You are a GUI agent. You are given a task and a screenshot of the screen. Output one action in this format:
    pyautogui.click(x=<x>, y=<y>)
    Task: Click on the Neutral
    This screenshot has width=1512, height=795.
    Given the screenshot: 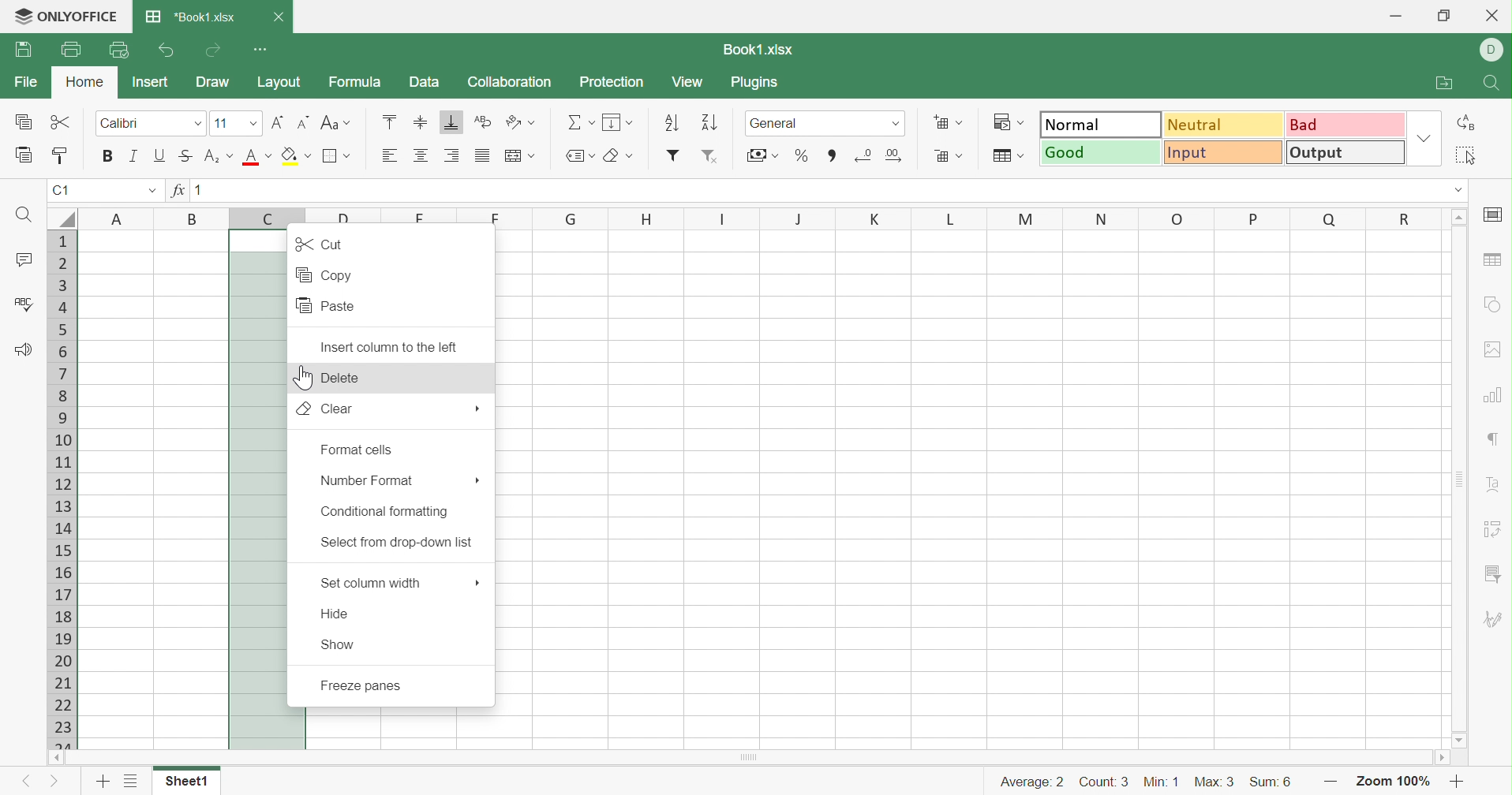 What is the action you would take?
    pyautogui.click(x=1225, y=126)
    